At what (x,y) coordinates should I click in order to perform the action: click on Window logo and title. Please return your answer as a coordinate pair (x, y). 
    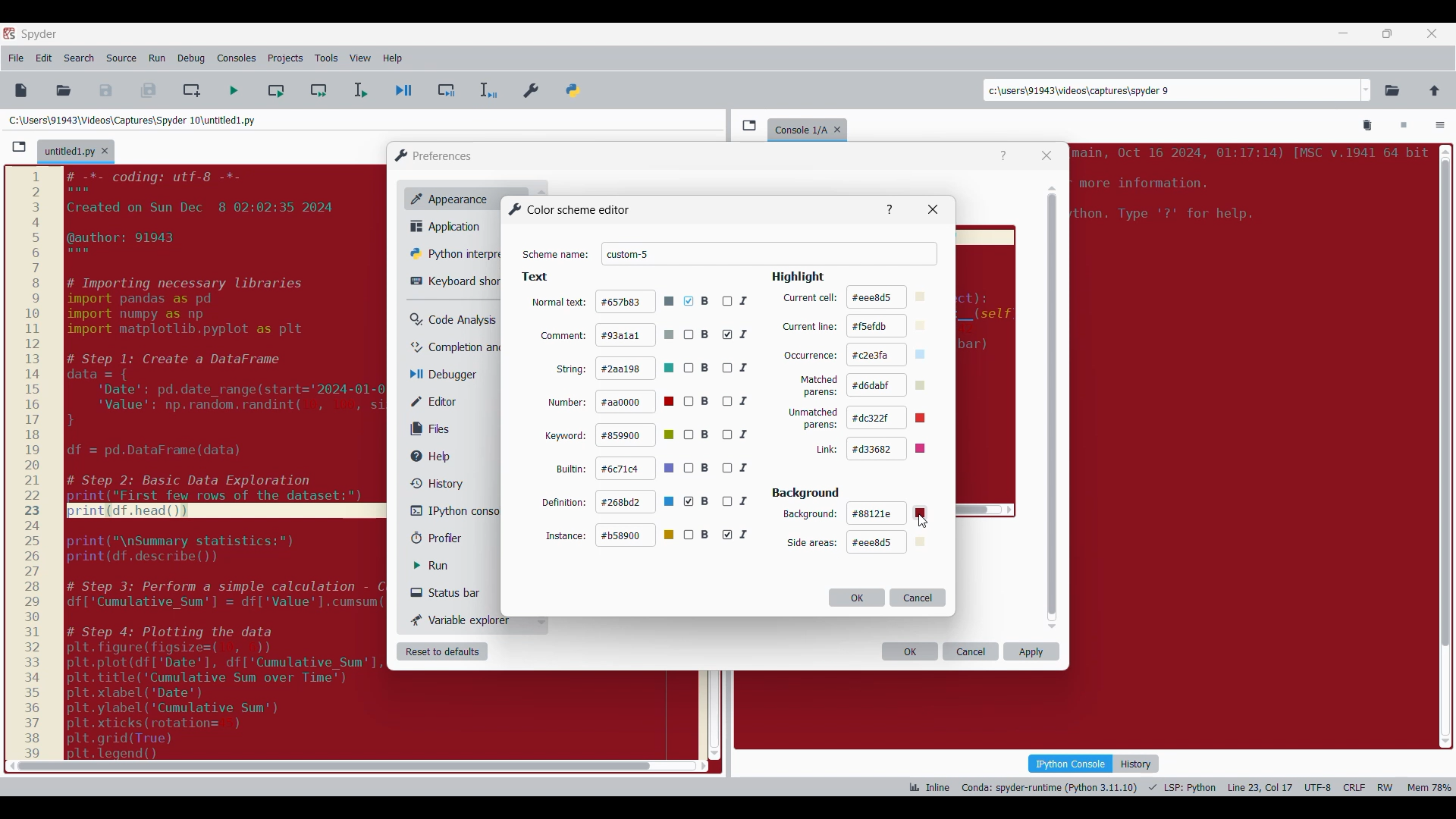
    Looking at the image, I should click on (434, 155).